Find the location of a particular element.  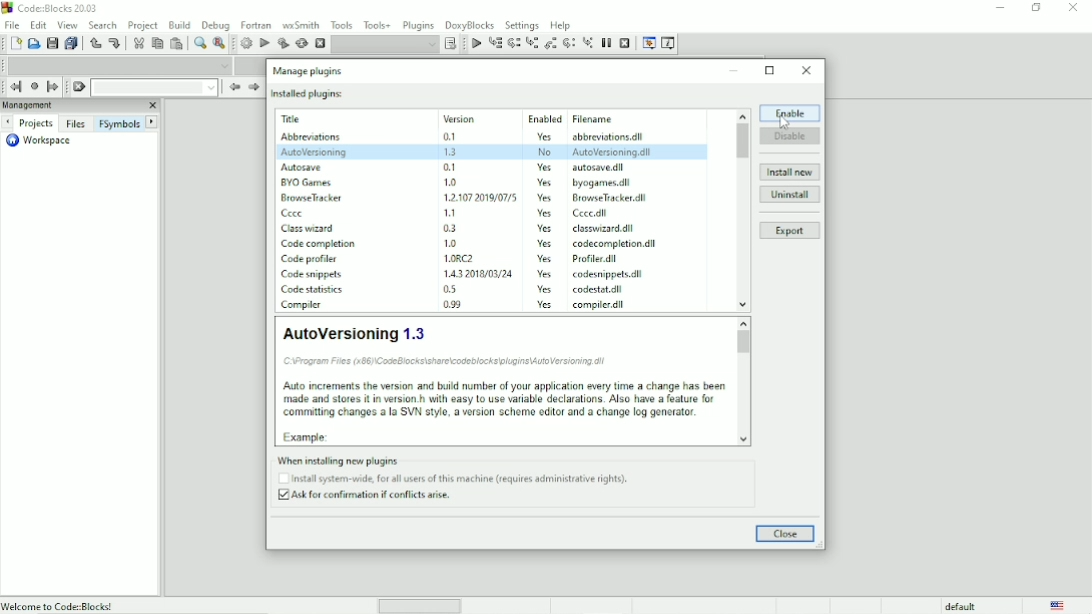

Clear is located at coordinates (79, 87).